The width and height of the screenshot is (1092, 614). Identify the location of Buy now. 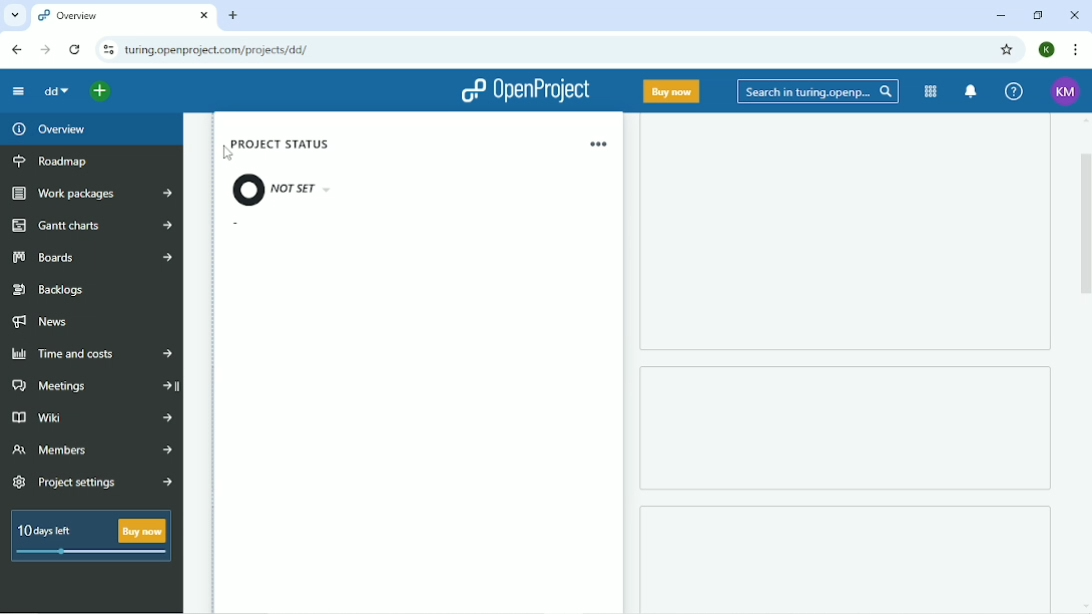
(672, 91).